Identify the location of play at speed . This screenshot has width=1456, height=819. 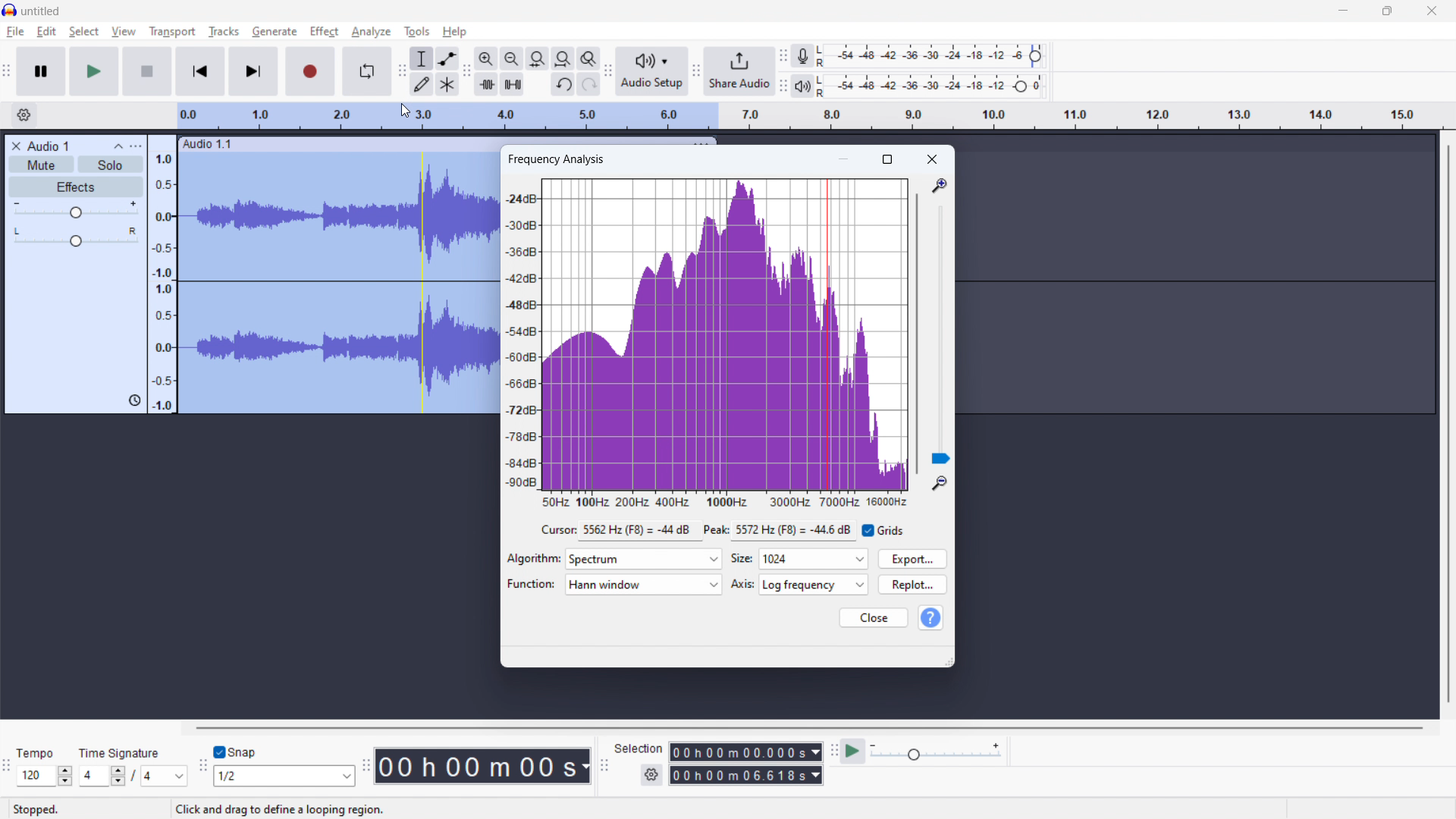
(852, 752).